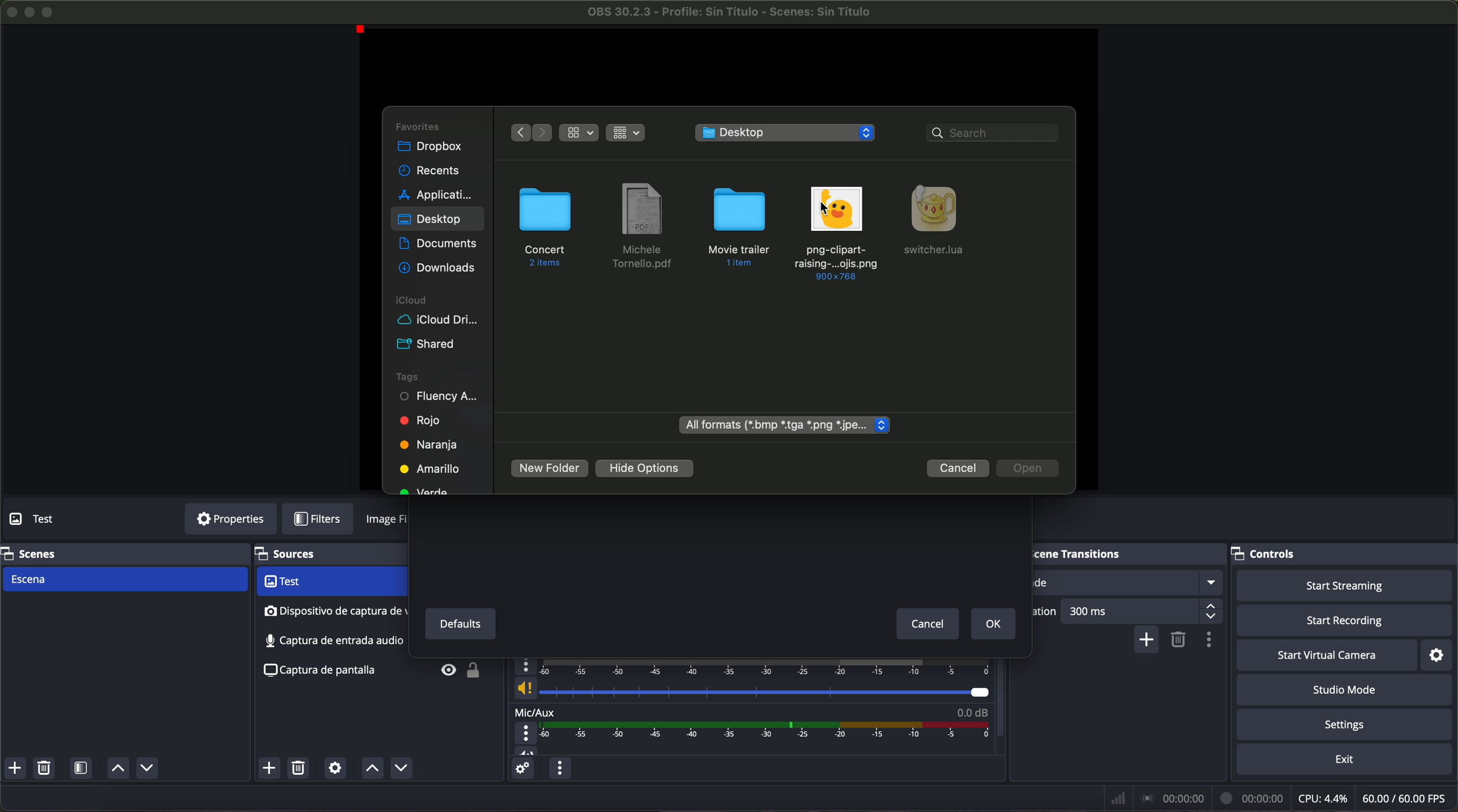  Describe the element at coordinates (440, 397) in the screenshot. I see `fluency academy` at that location.